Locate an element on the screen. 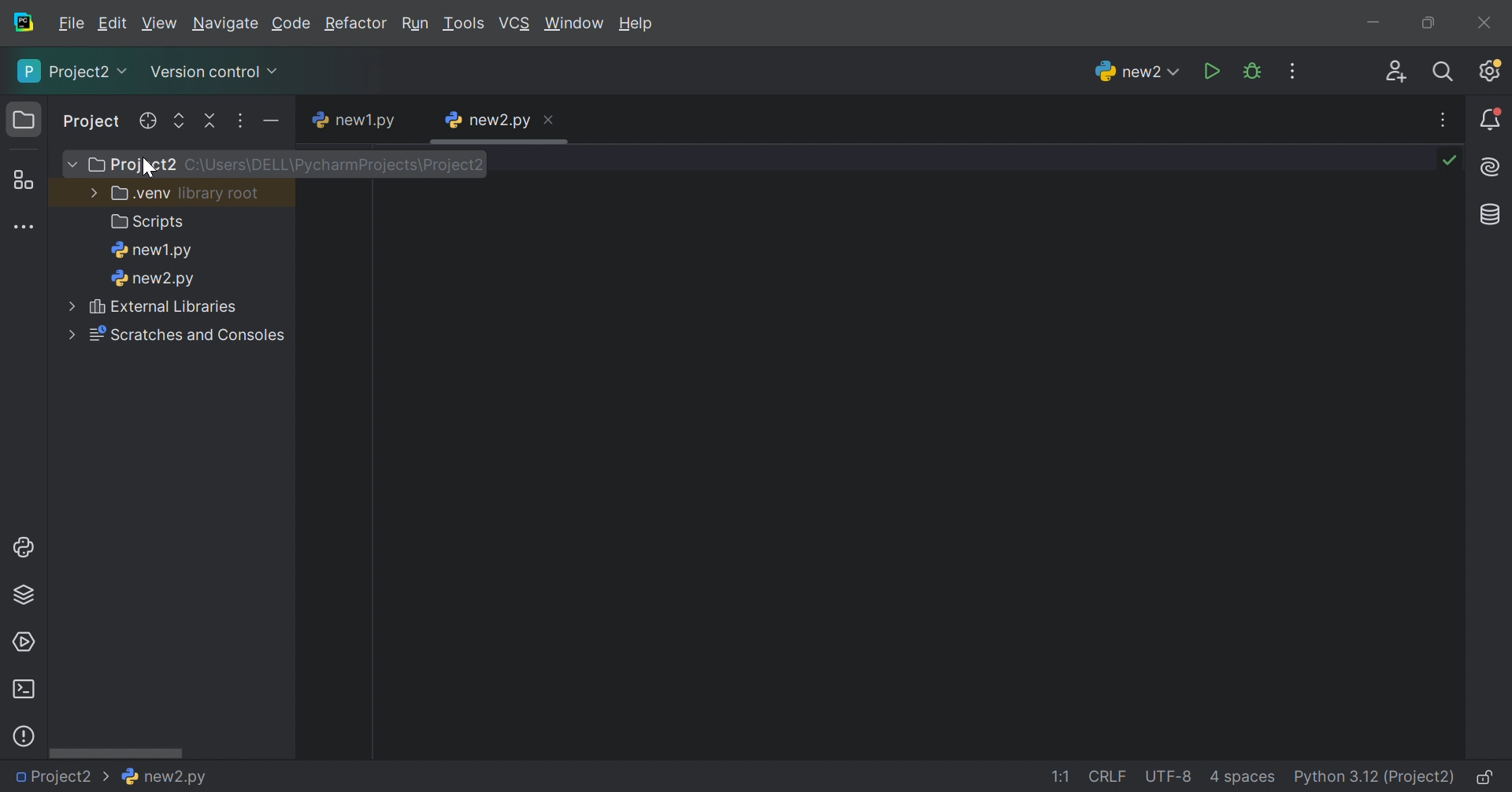 The image size is (1512, 792). Run is located at coordinates (418, 24).